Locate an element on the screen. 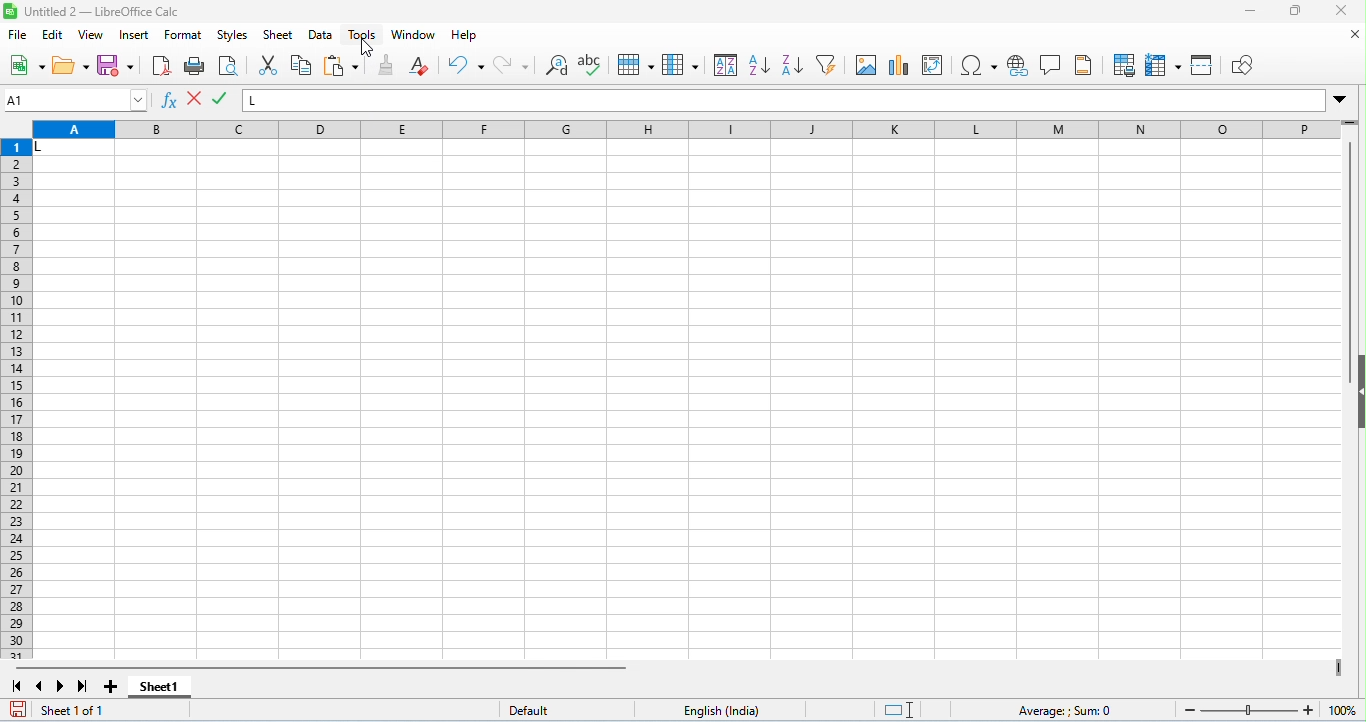 The height and width of the screenshot is (722, 1366). insert / add pivot table is located at coordinates (932, 65).